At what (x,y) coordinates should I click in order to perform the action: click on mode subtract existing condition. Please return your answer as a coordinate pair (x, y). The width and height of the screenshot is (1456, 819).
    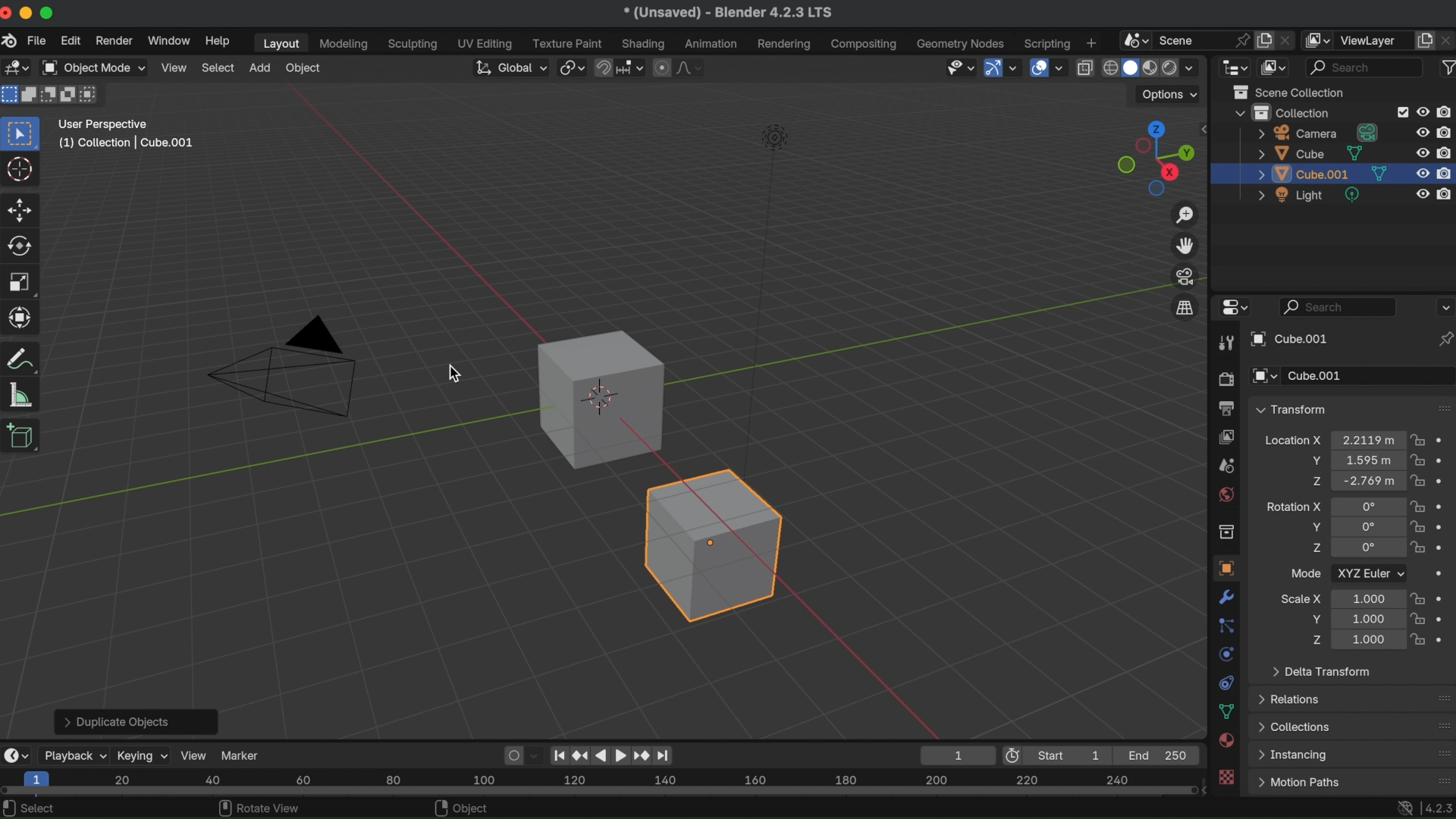
    Looking at the image, I should click on (49, 95).